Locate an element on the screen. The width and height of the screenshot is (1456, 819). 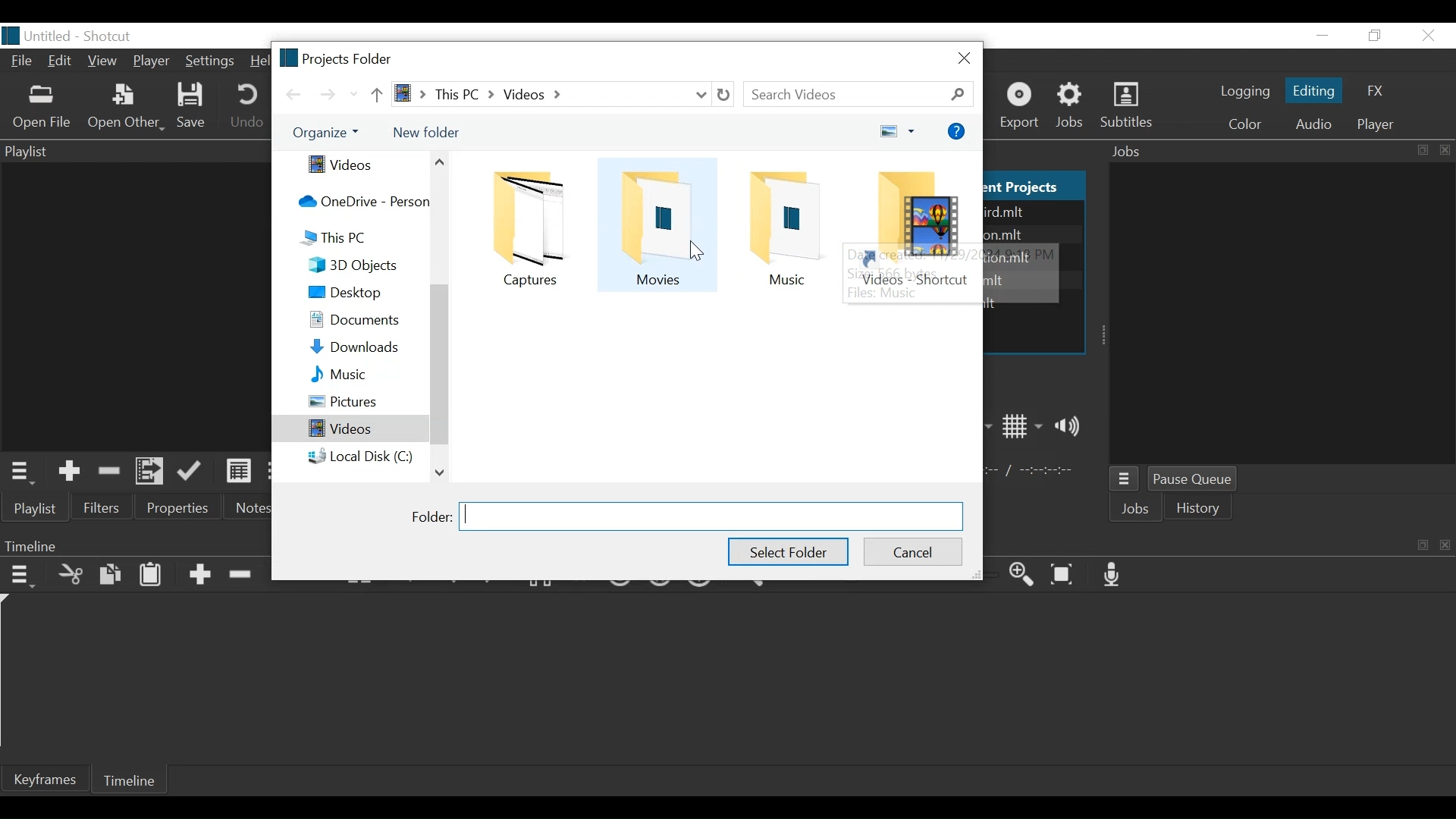
Folder Field is located at coordinates (712, 516).